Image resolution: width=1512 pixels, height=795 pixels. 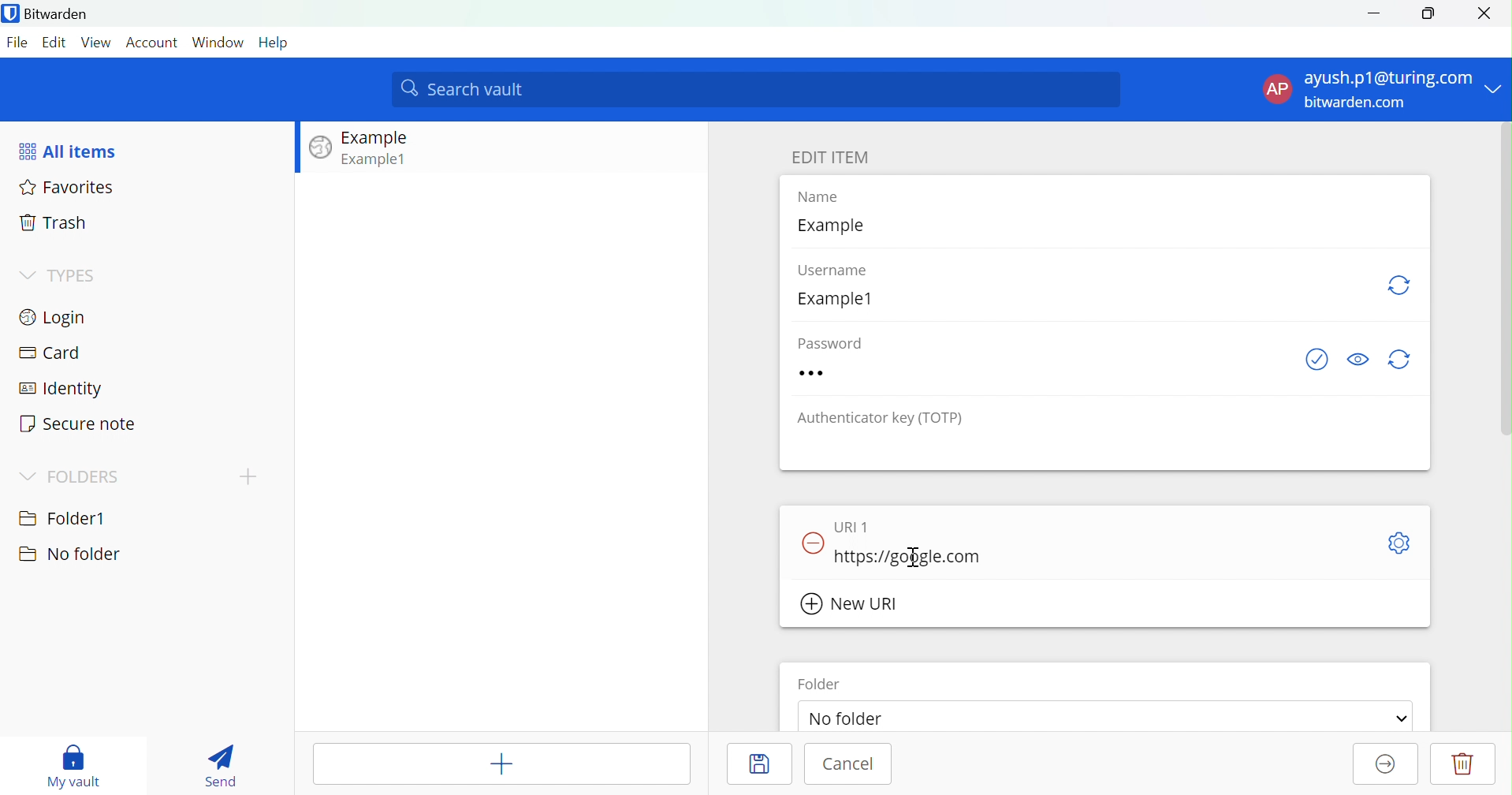 What do you see at coordinates (1428, 13) in the screenshot?
I see `Restore Down` at bounding box center [1428, 13].